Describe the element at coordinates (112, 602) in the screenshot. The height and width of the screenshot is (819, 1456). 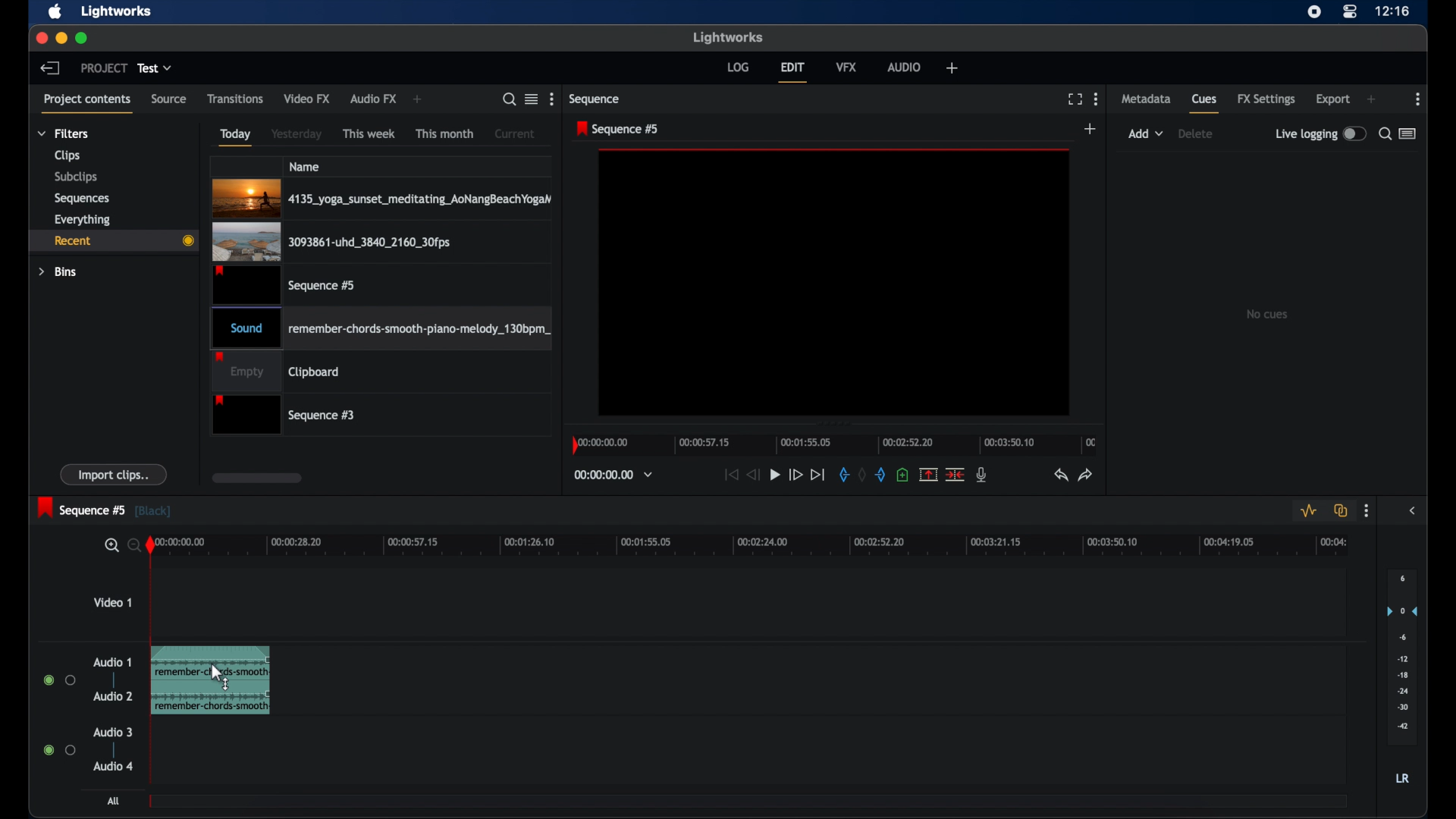
I see `video 1` at that location.